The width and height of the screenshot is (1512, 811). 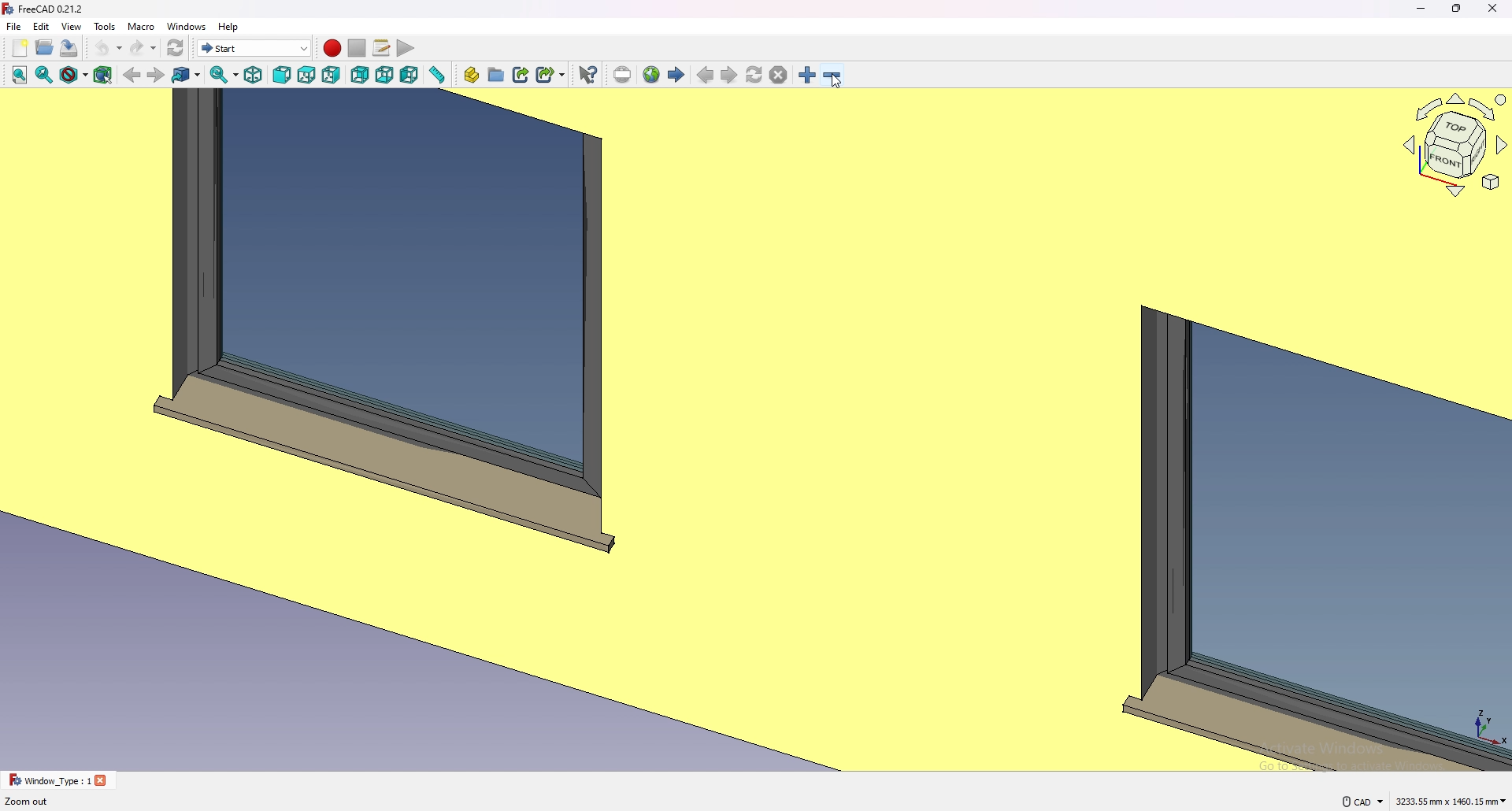 I want to click on help, so click(x=229, y=26).